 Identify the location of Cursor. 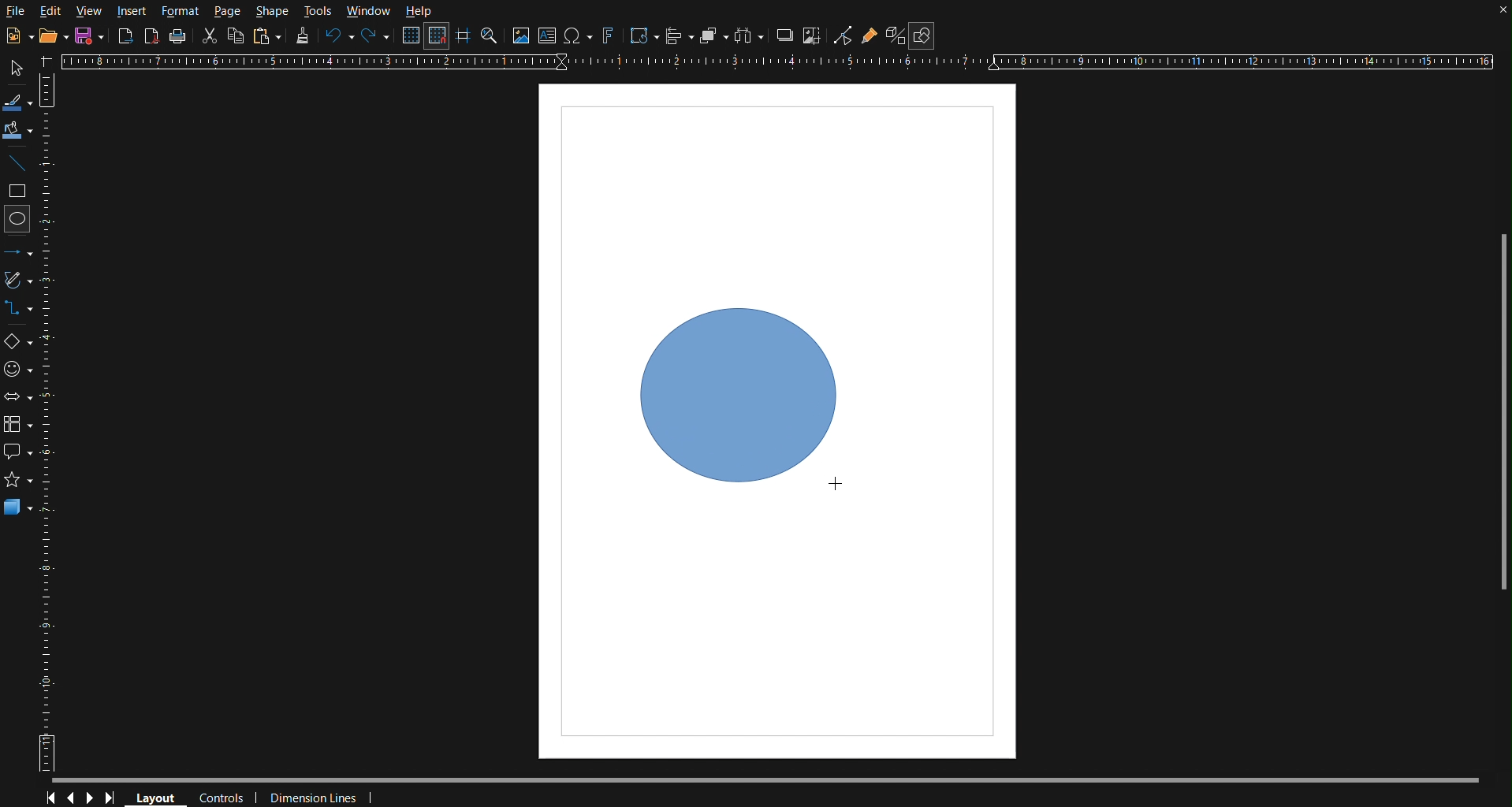
(836, 485).